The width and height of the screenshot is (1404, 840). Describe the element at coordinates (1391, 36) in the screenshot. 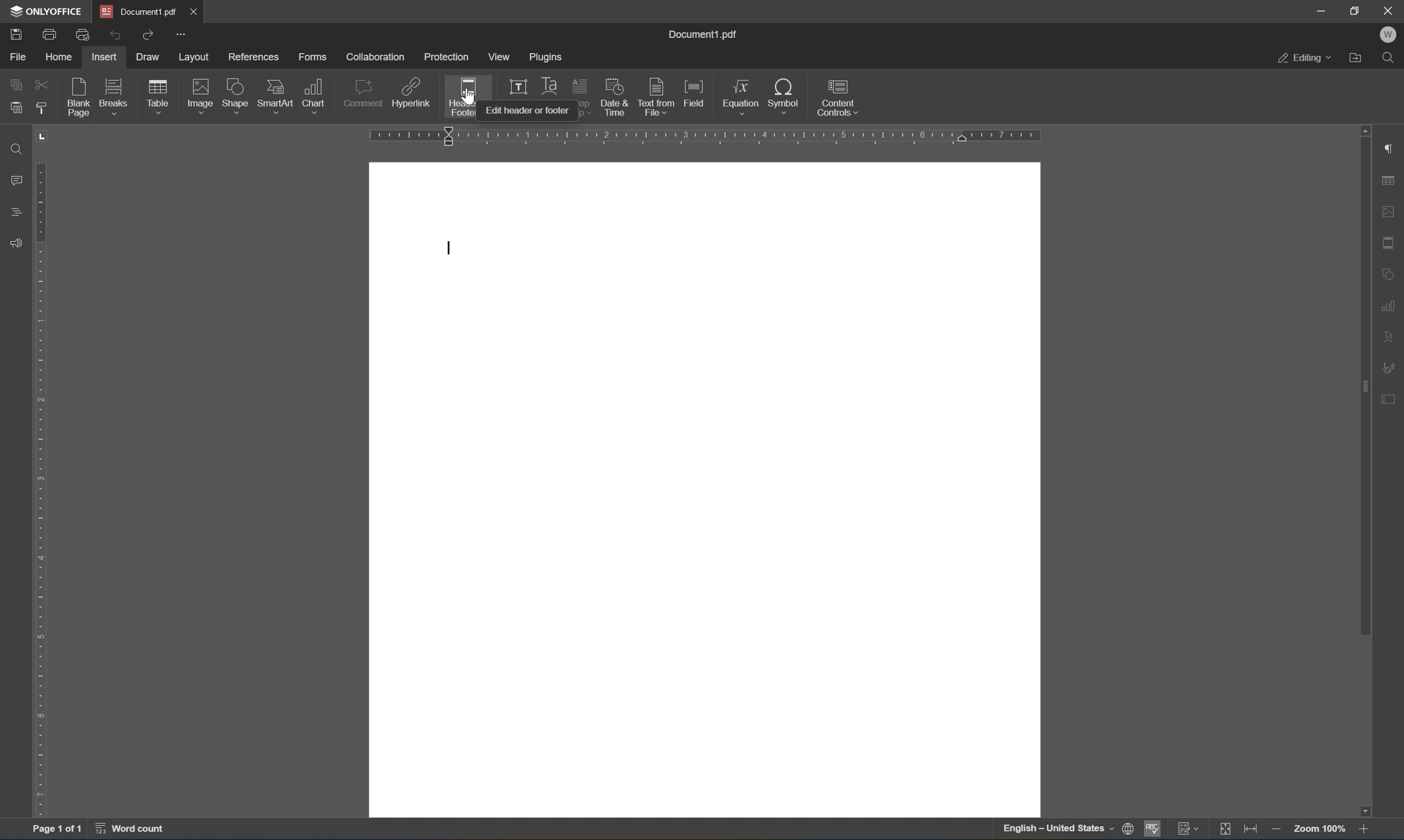

I see `profile` at that location.